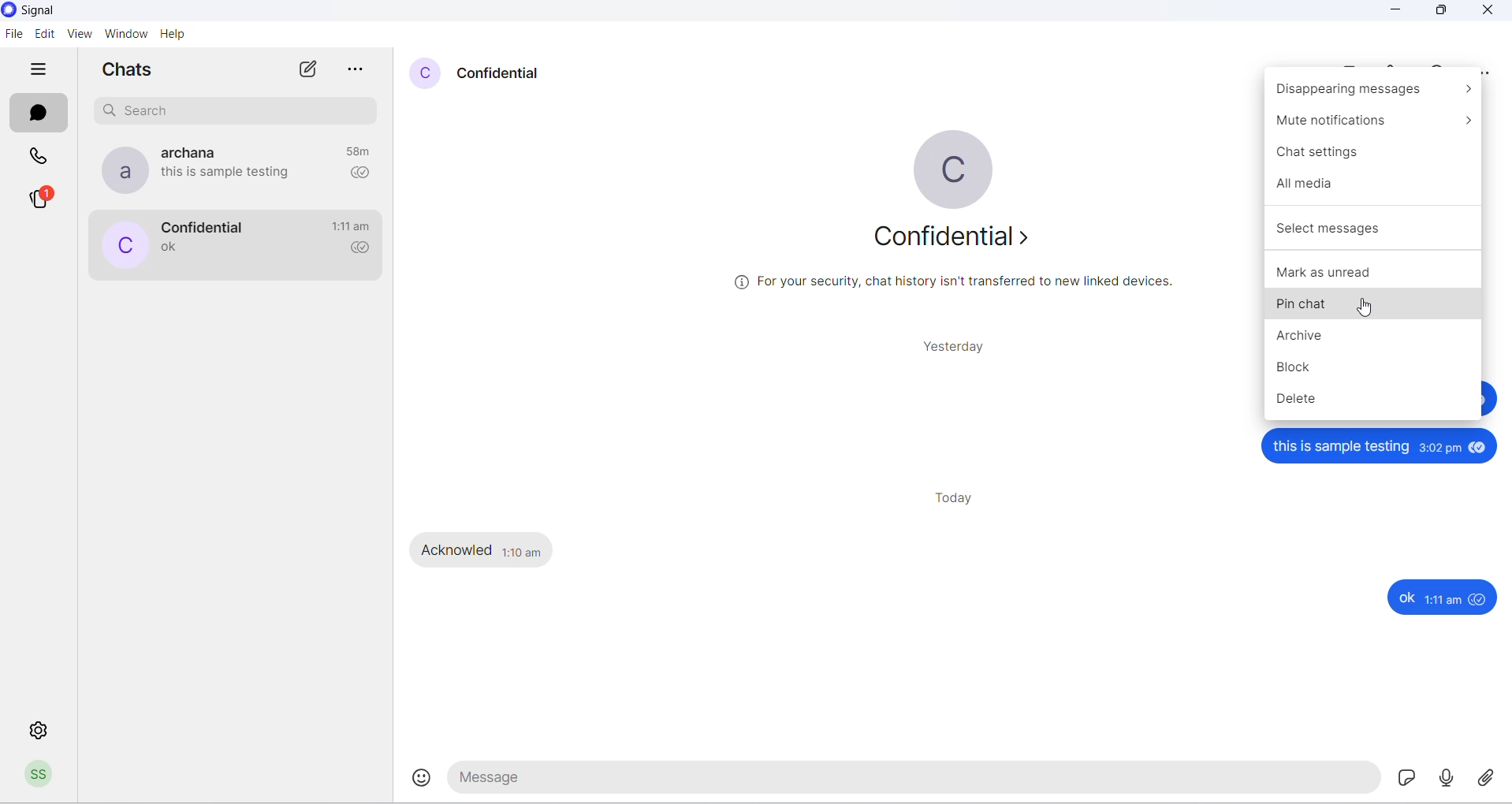  What do you see at coordinates (357, 174) in the screenshot?
I see `read recipient` at bounding box center [357, 174].